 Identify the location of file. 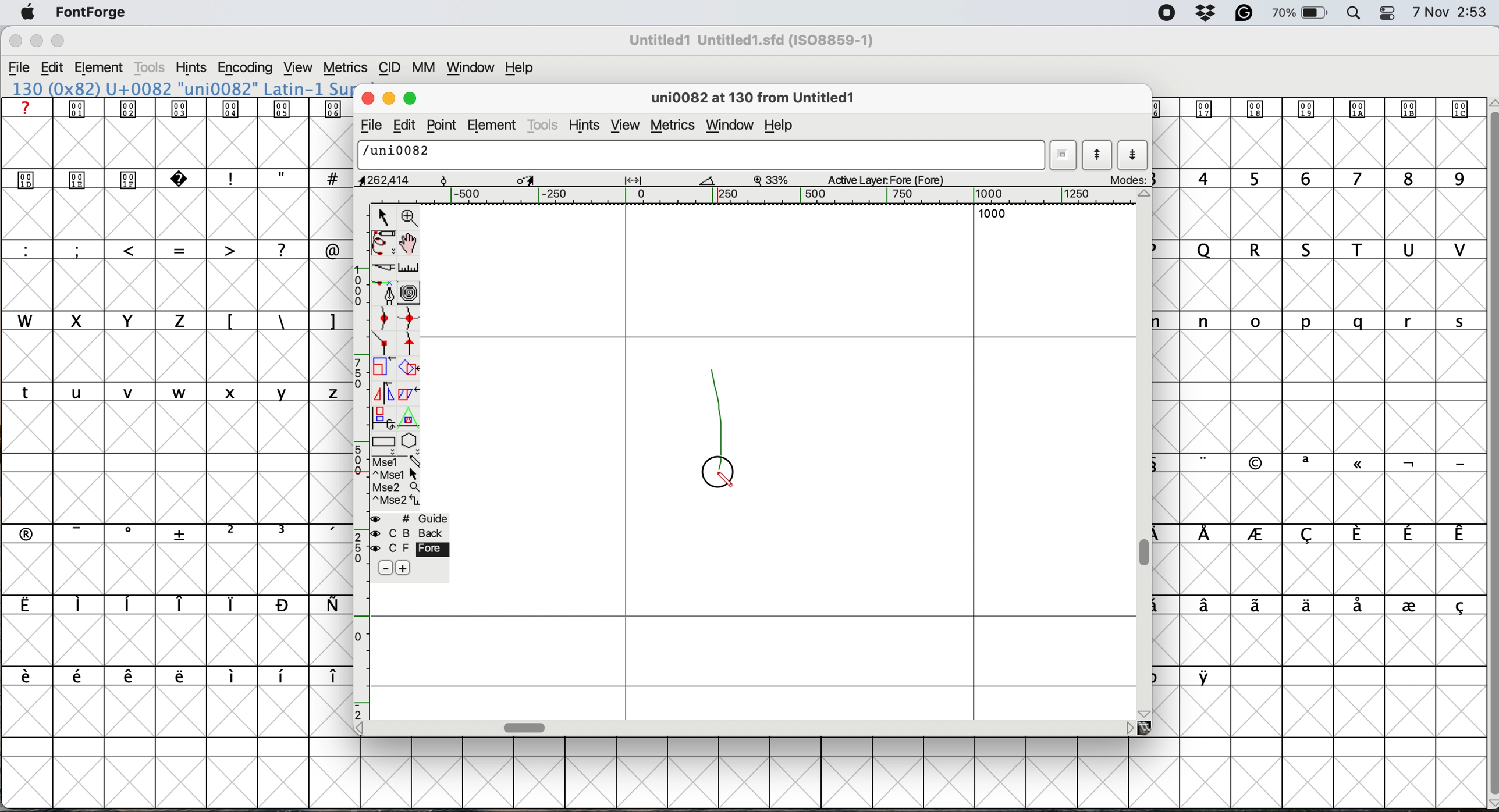
(369, 127).